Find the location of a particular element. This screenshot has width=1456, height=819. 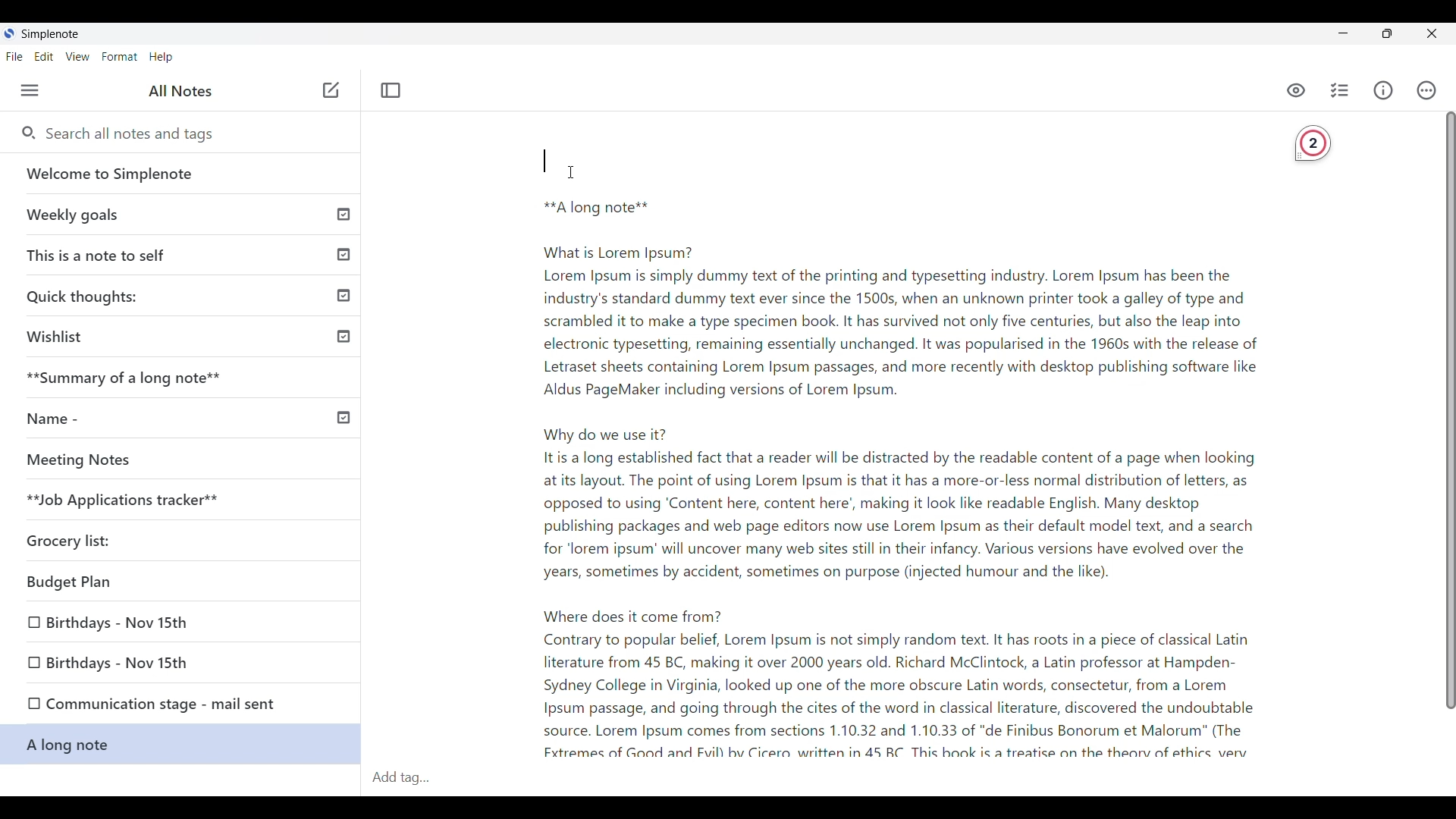

Menu is located at coordinates (30, 90).